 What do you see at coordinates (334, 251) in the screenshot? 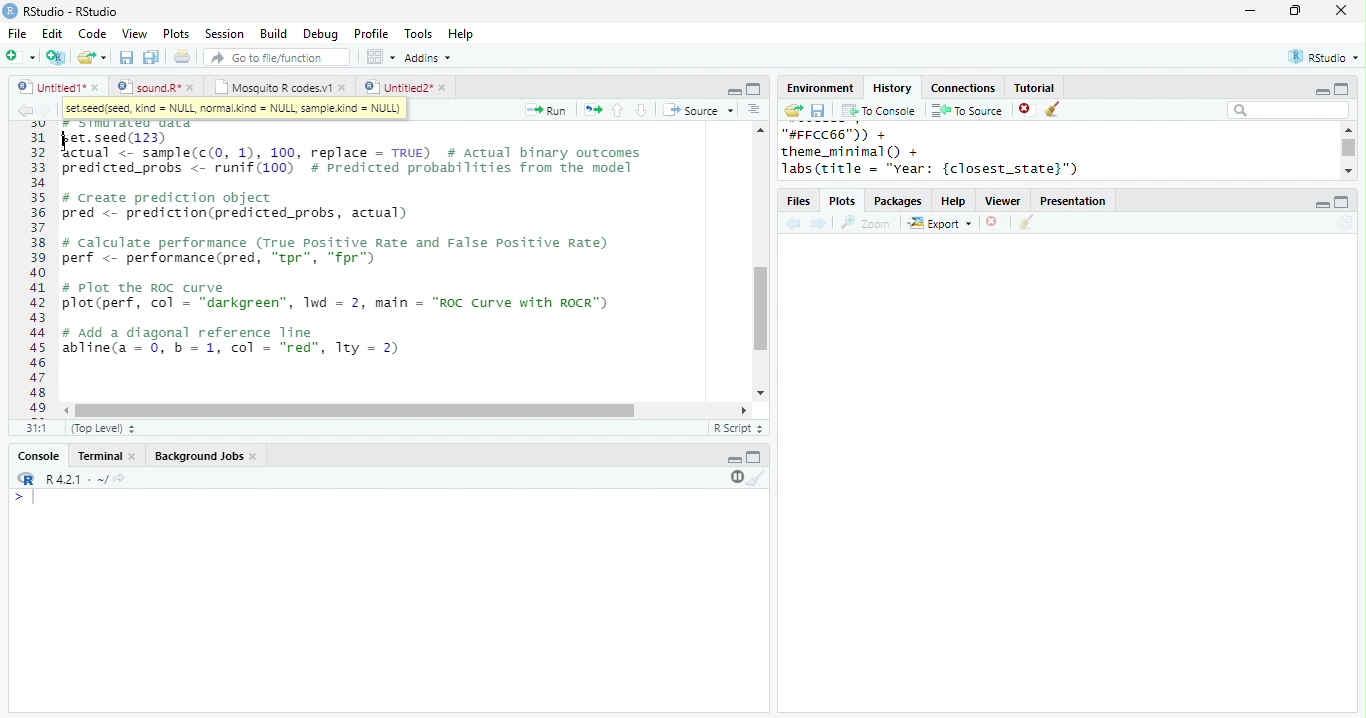
I see `# calculate performance (True Positive Rate and False Positive Rate)
perf <- performance(pred, “tpr", “fpr")` at bounding box center [334, 251].